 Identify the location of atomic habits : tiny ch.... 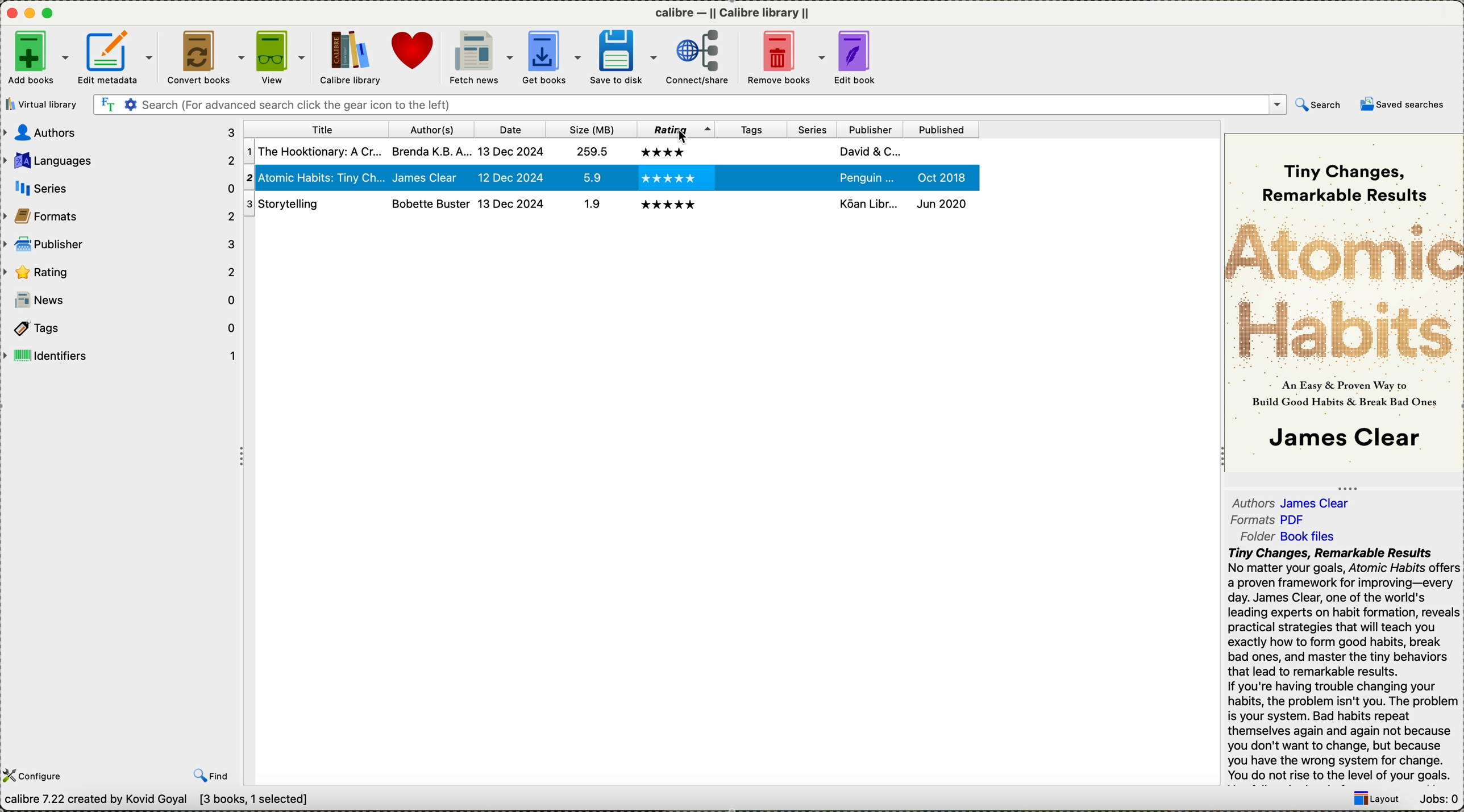
(315, 152).